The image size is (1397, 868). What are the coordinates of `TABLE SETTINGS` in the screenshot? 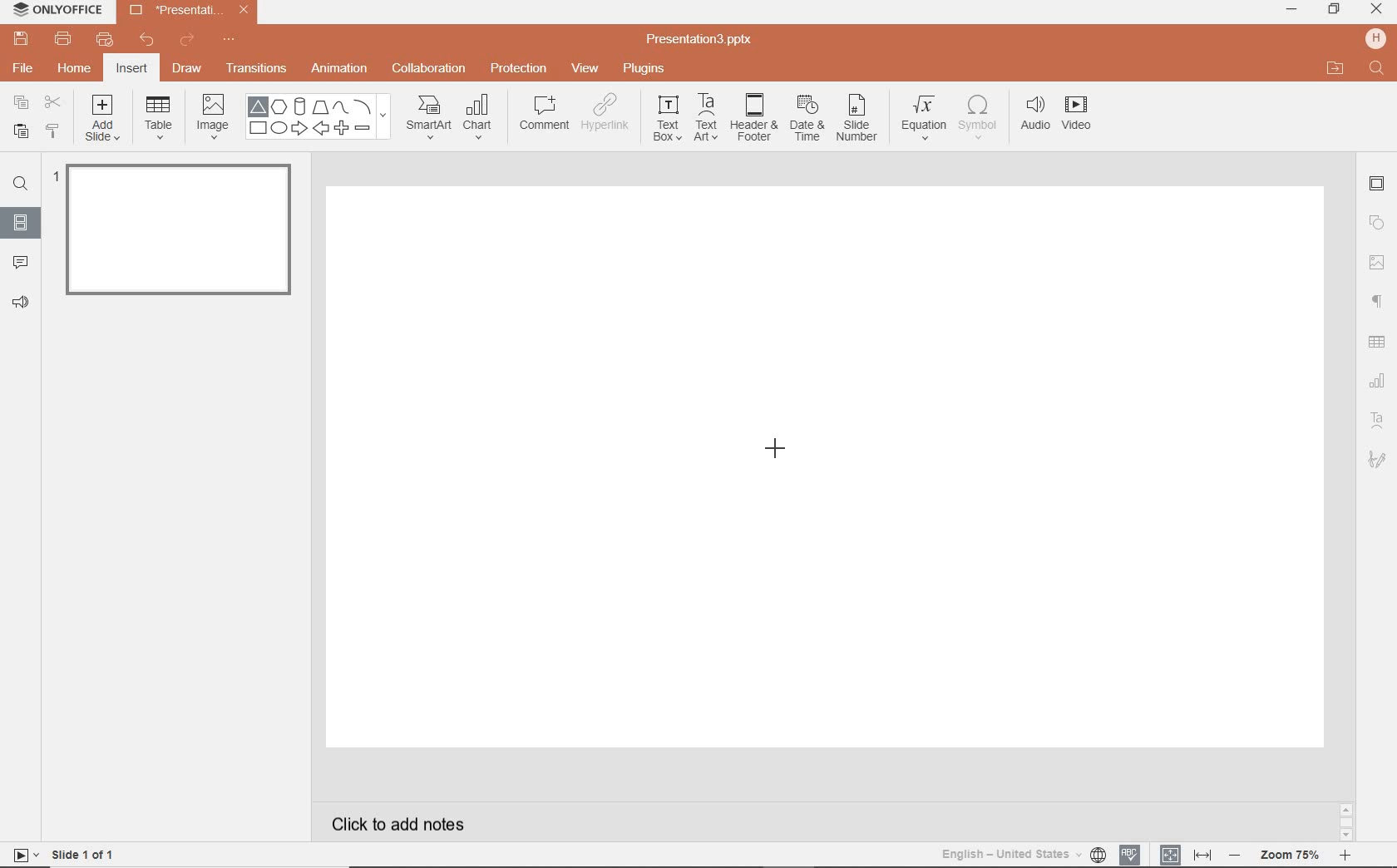 It's located at (1377, 342).